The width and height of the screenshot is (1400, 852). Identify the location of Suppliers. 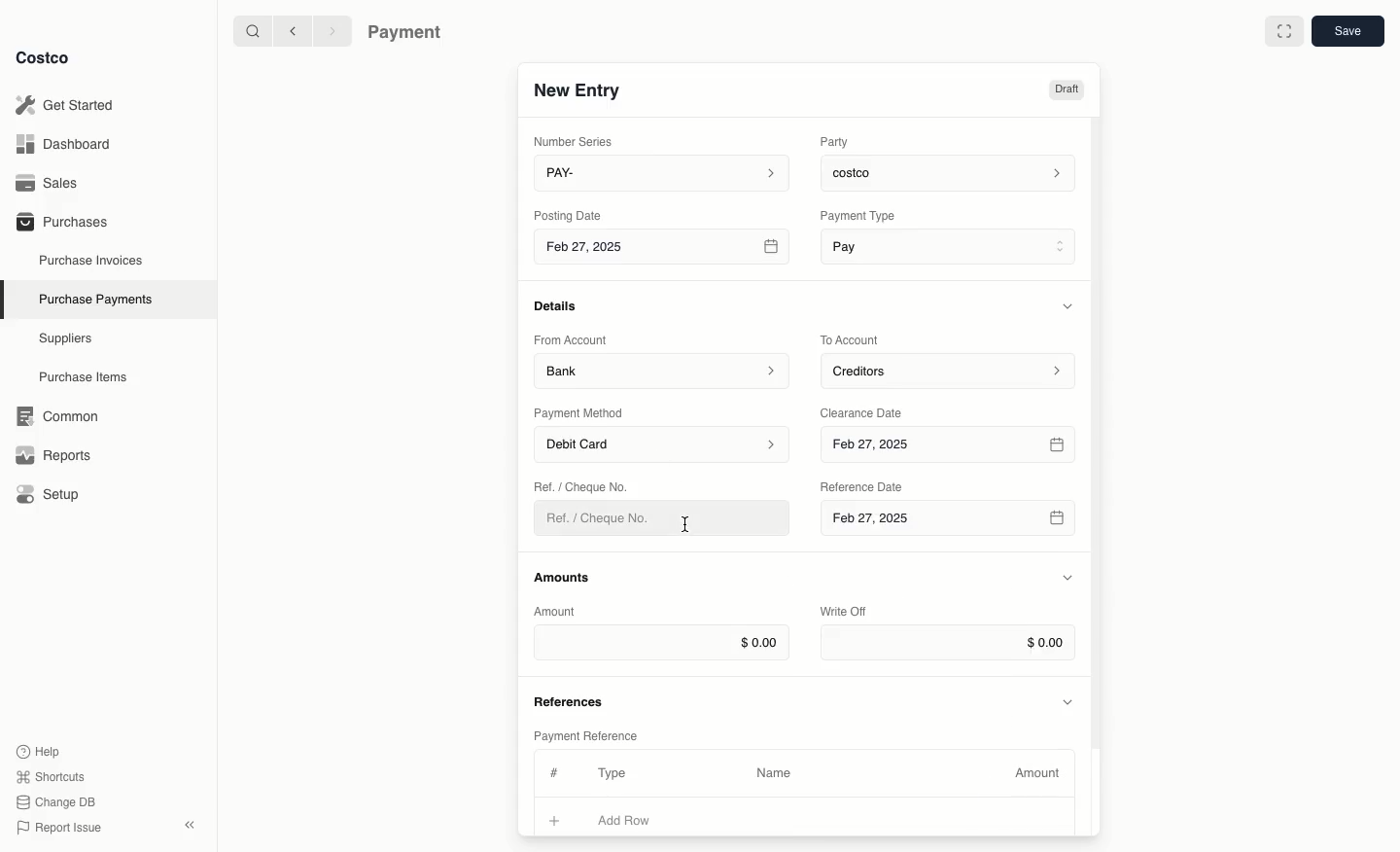
(66, 337).